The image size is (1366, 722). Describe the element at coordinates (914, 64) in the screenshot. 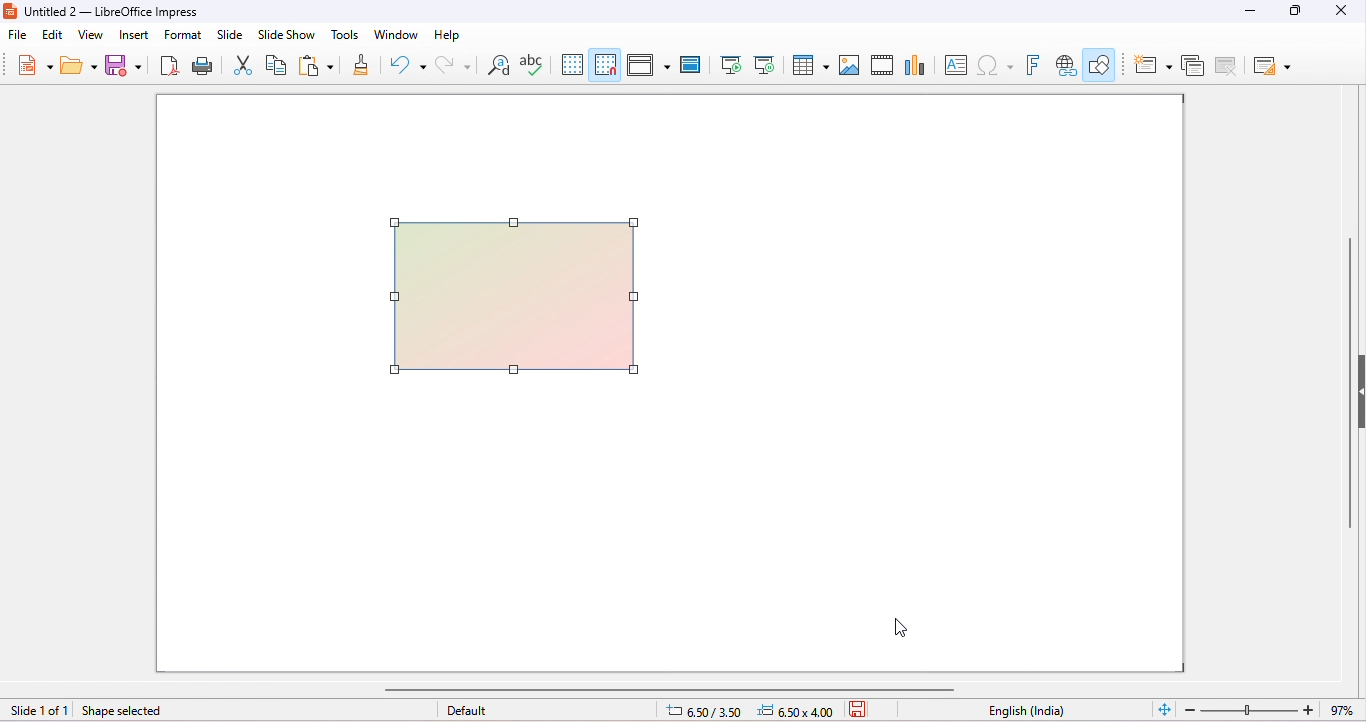

I see `insert chart` at that location.